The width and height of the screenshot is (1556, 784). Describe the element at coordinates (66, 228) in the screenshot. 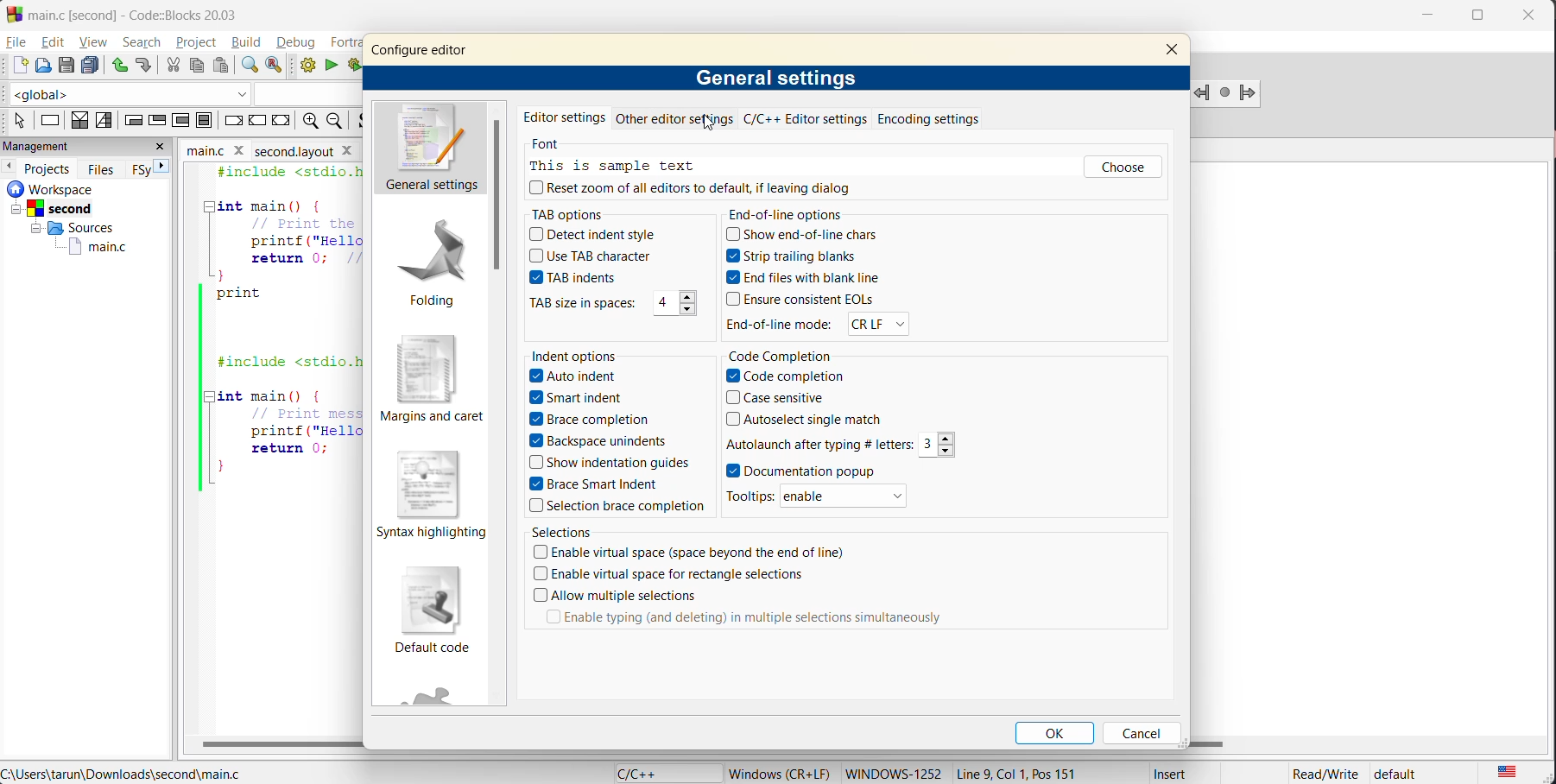

I see `Sources` at that location.